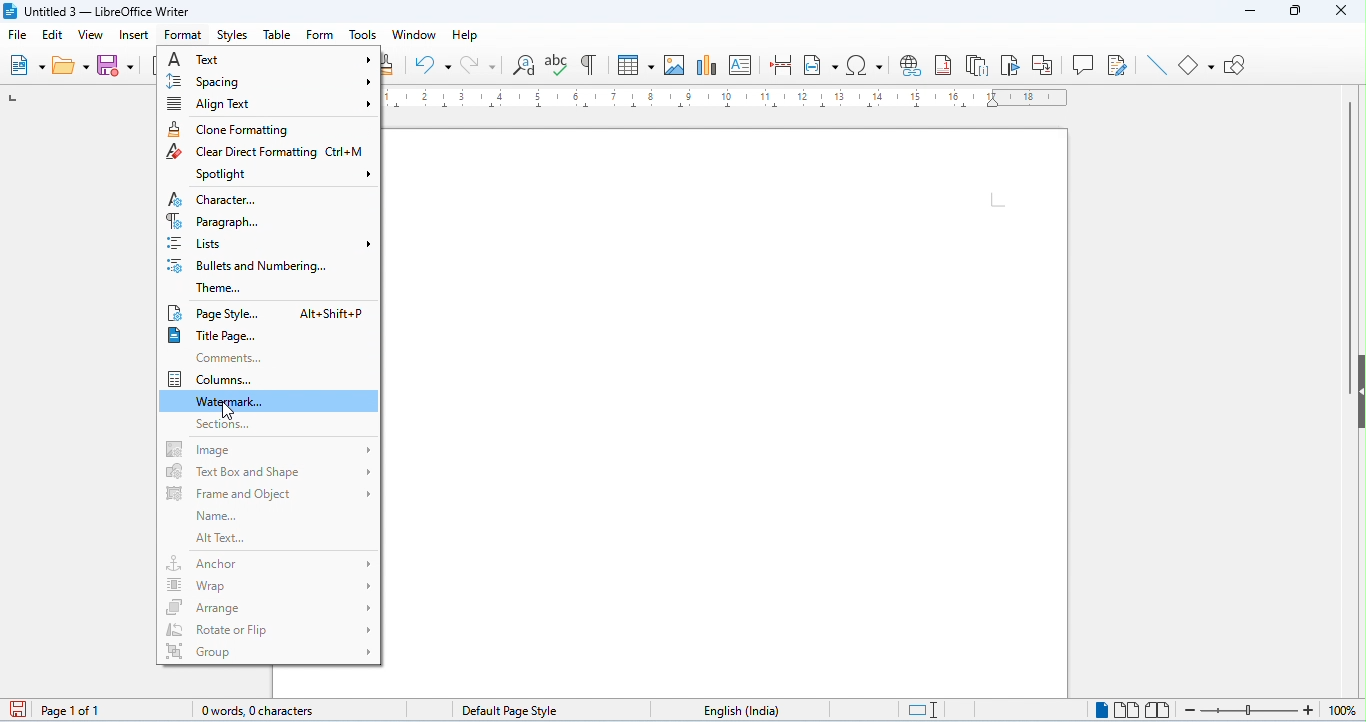 Image resolution: width=1366 pixels, height=722 pixels. Describe the element at coordinates (225, 517) in the screenshot. I see `name` at that location.